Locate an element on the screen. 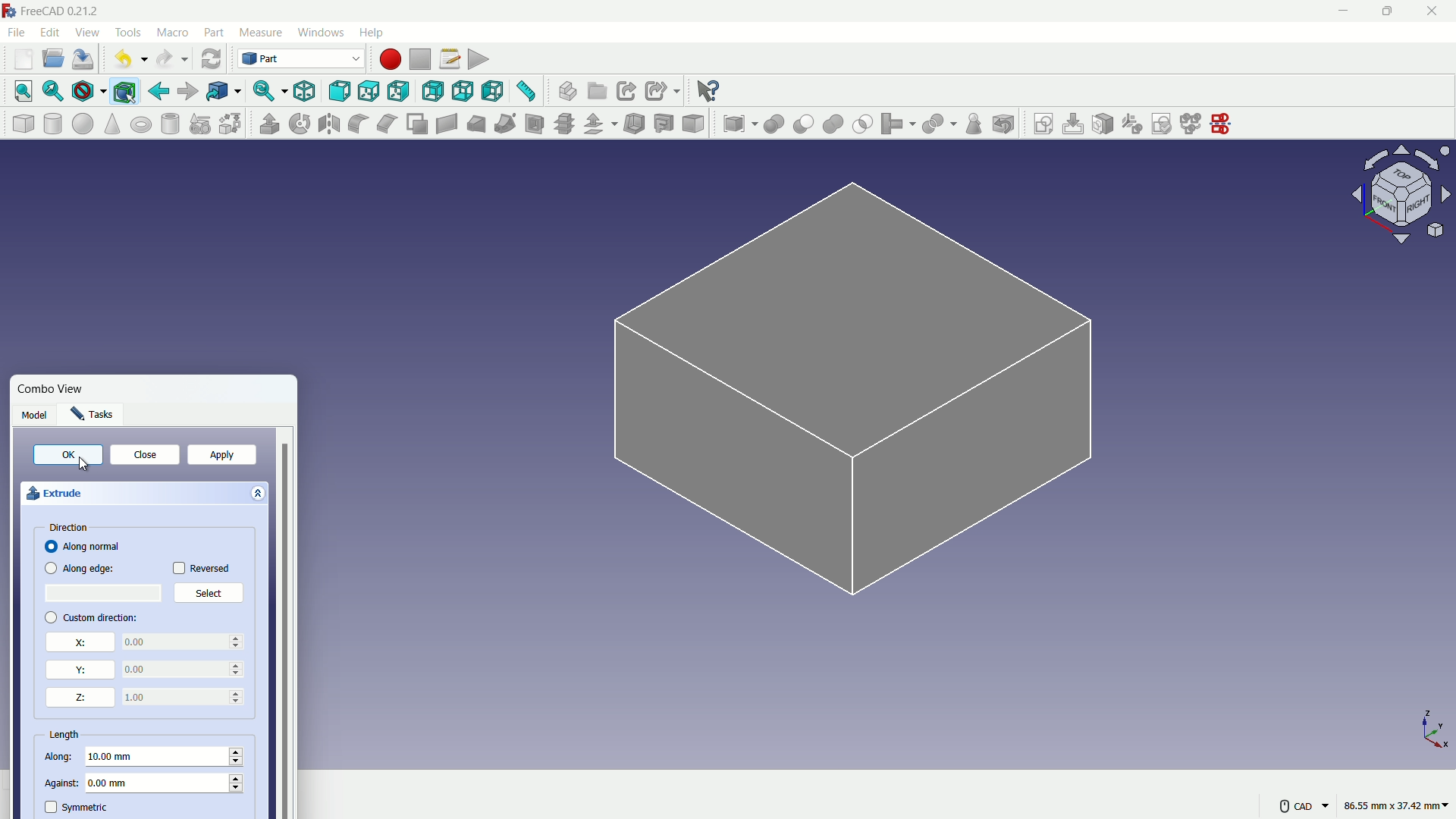  select place is located at coordinates (105, 592).